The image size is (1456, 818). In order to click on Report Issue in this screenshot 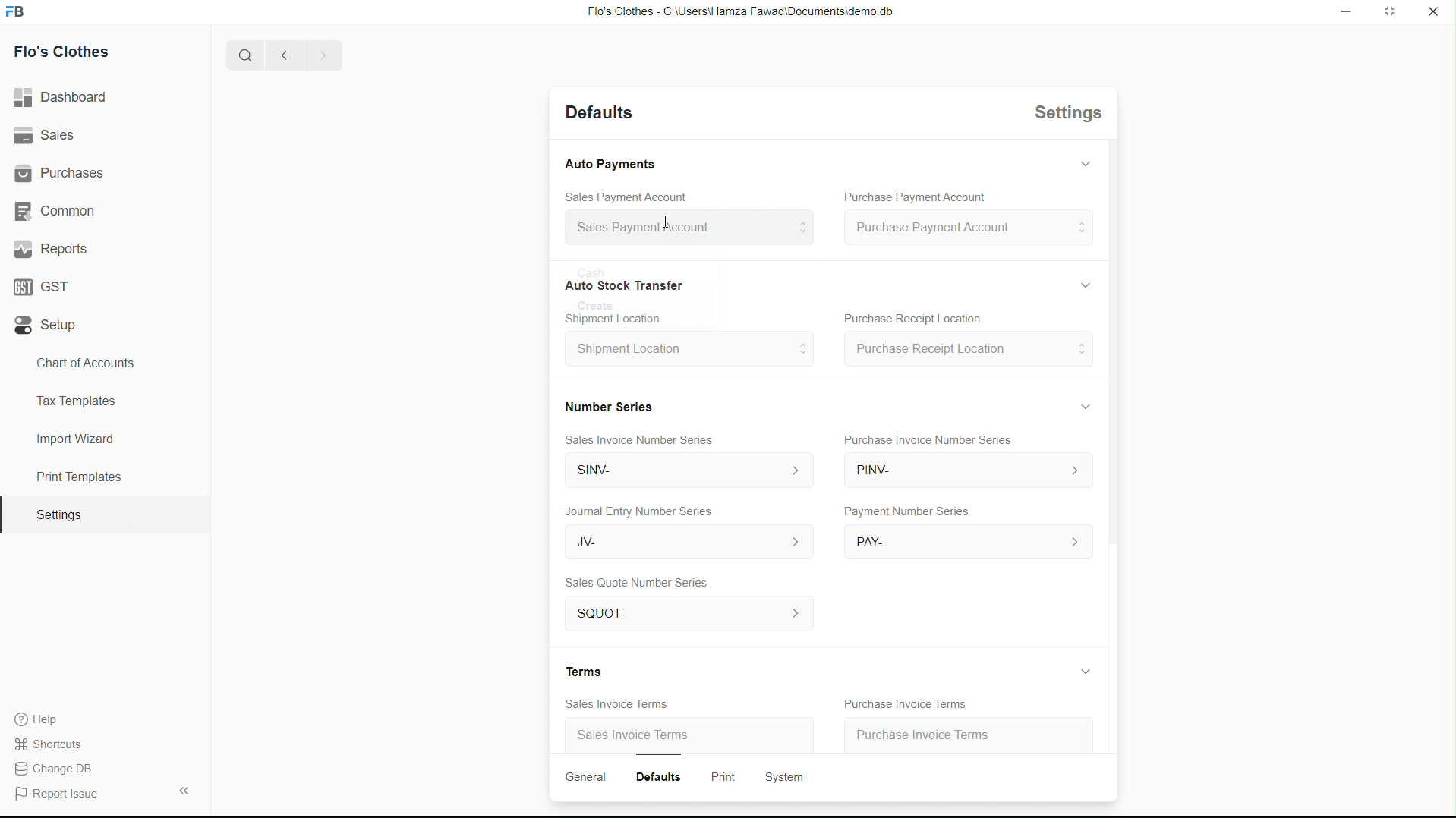, I will do `click(61, 794)`.